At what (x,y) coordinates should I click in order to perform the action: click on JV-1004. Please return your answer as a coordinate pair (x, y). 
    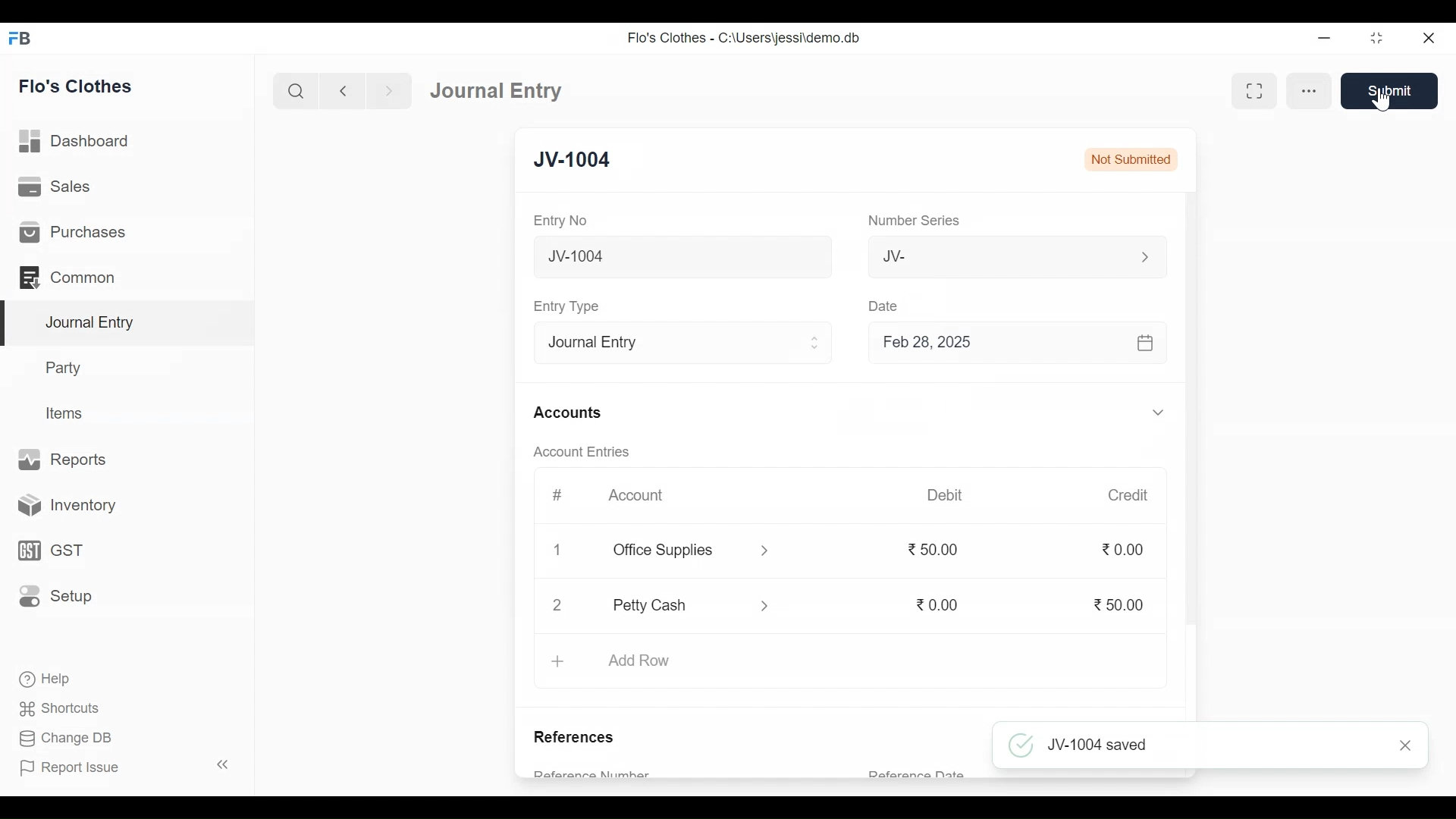
    Looking at the image, I should click on (570, 161).